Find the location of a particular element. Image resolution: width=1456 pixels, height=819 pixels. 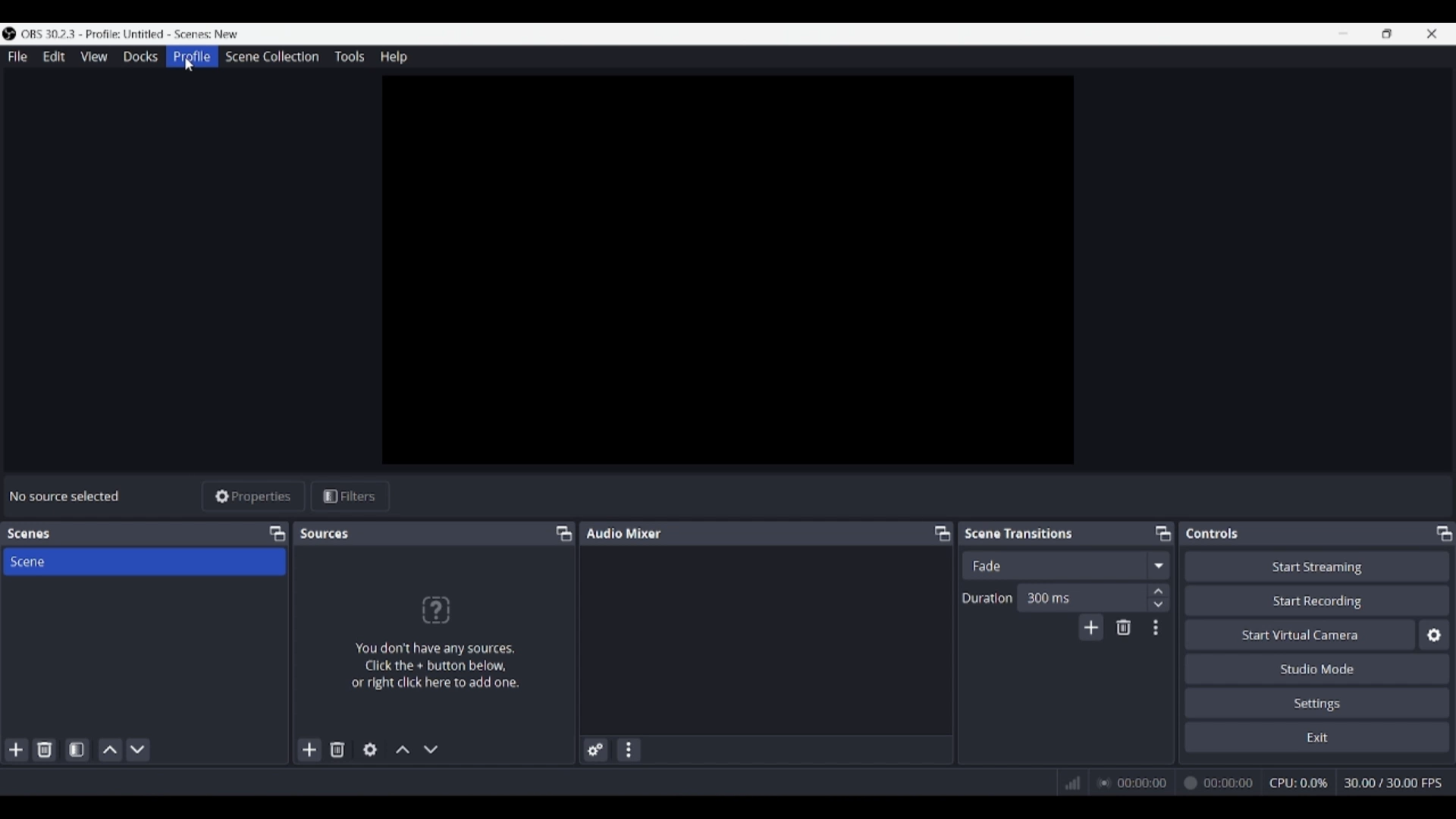

Studio mode is located at coordinates (1317, 668).